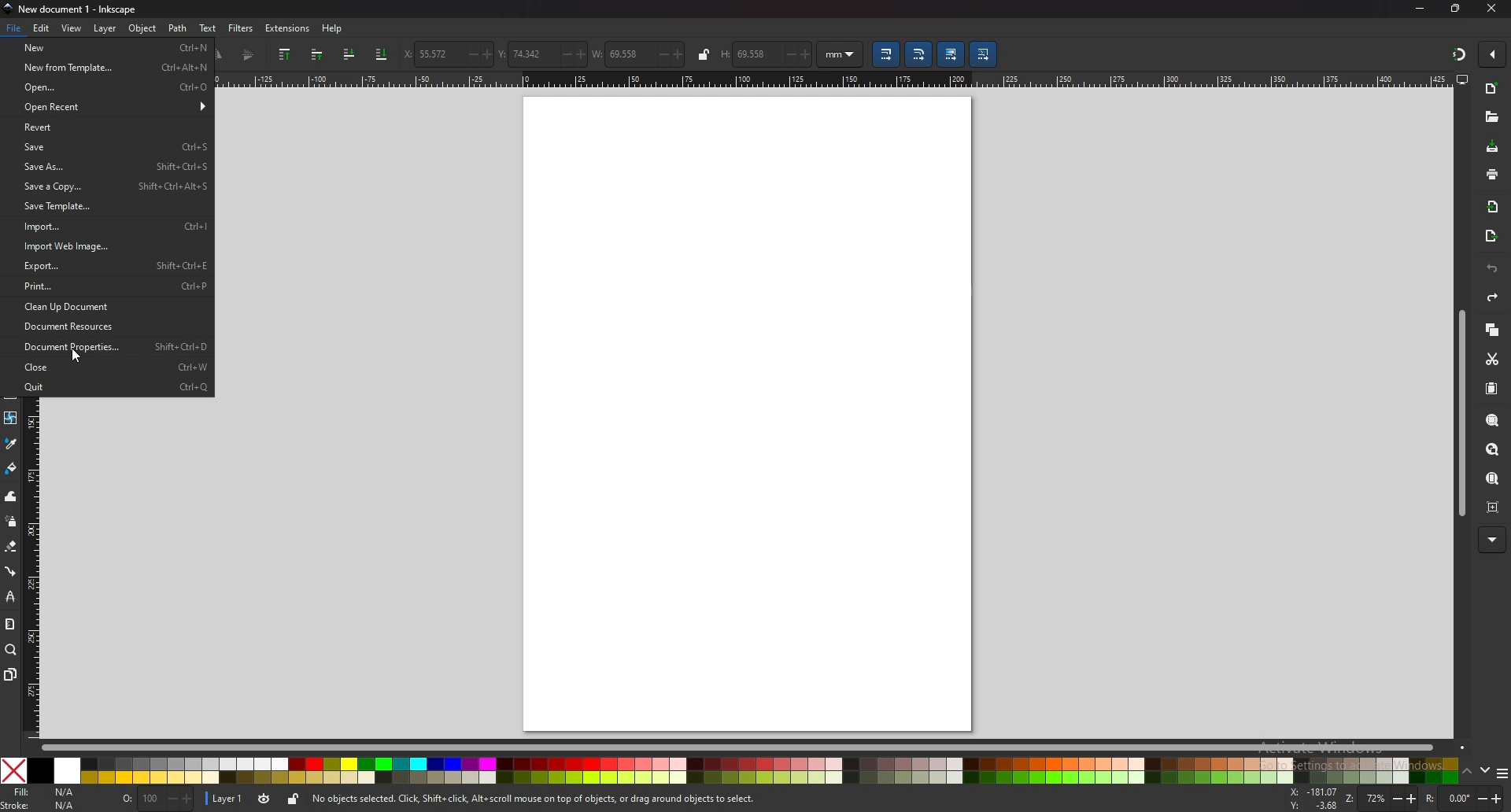  Describe the element at coordinates (157, 800) in the screenshot. I see `nothing selected` at that location.